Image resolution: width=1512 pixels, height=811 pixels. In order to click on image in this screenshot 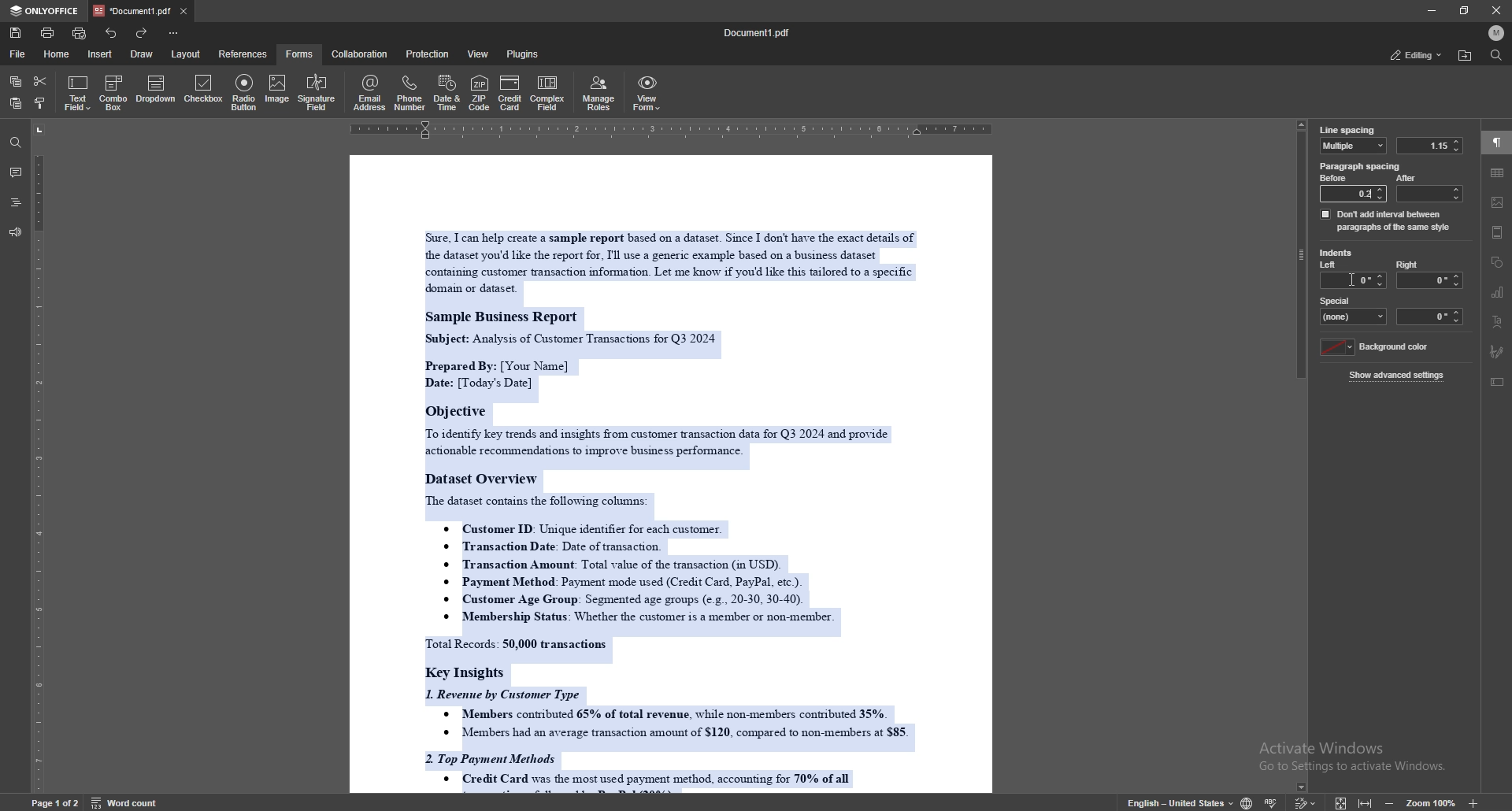, I will do `click(276, 91)`.